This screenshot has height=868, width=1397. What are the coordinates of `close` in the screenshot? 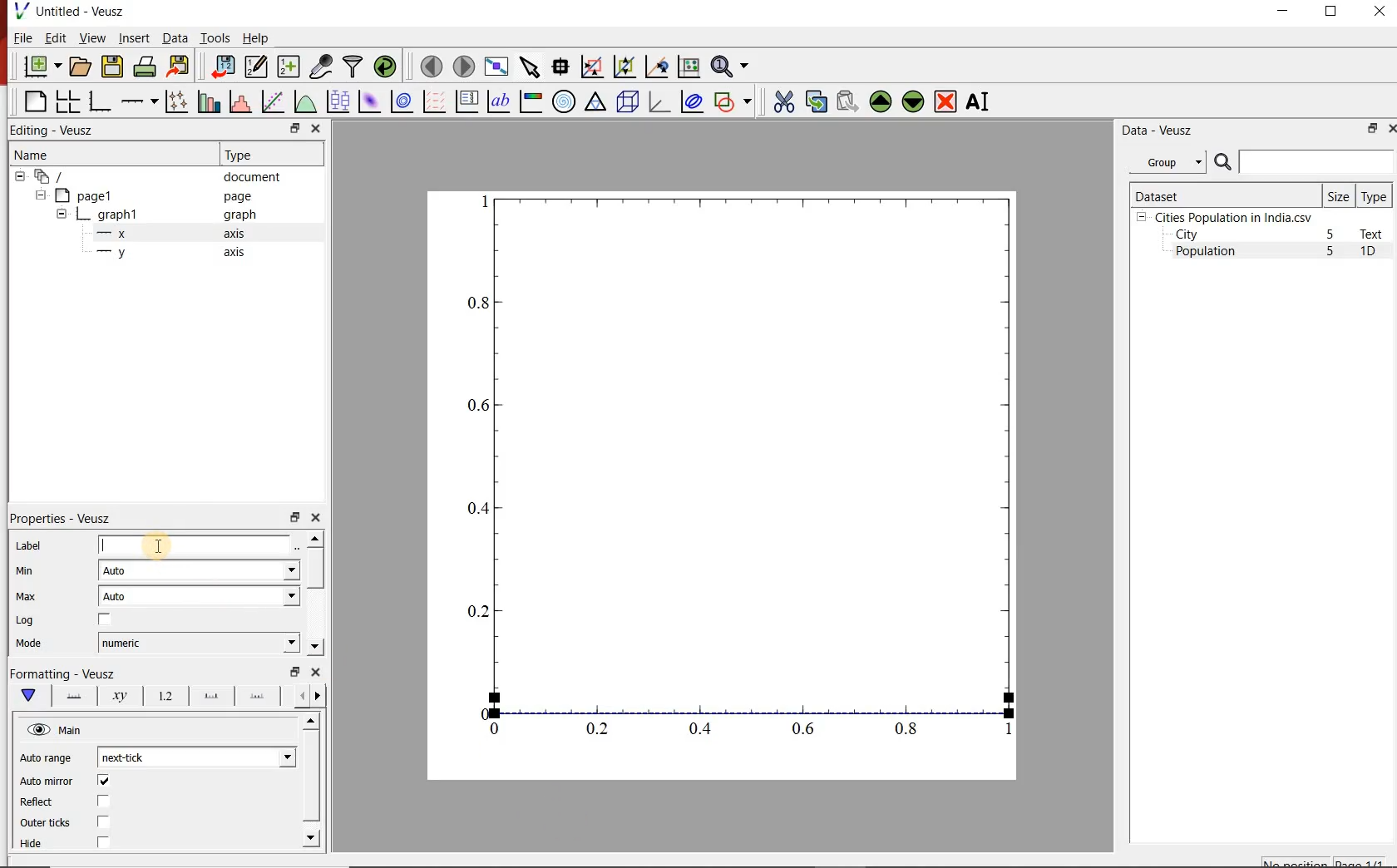 It's located at (313, 672).